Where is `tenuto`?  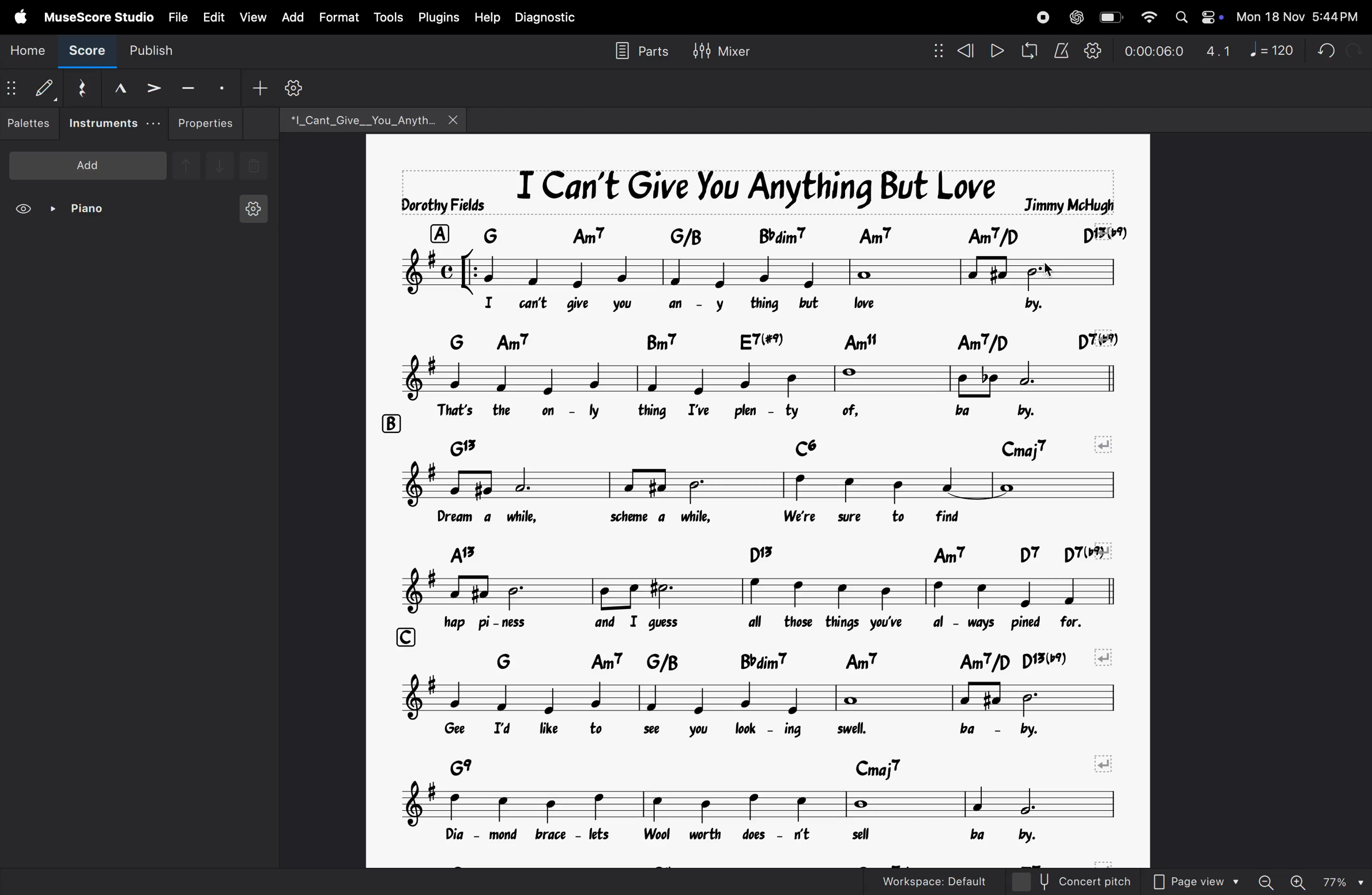
tenuto is located at coordinates (191, 87).